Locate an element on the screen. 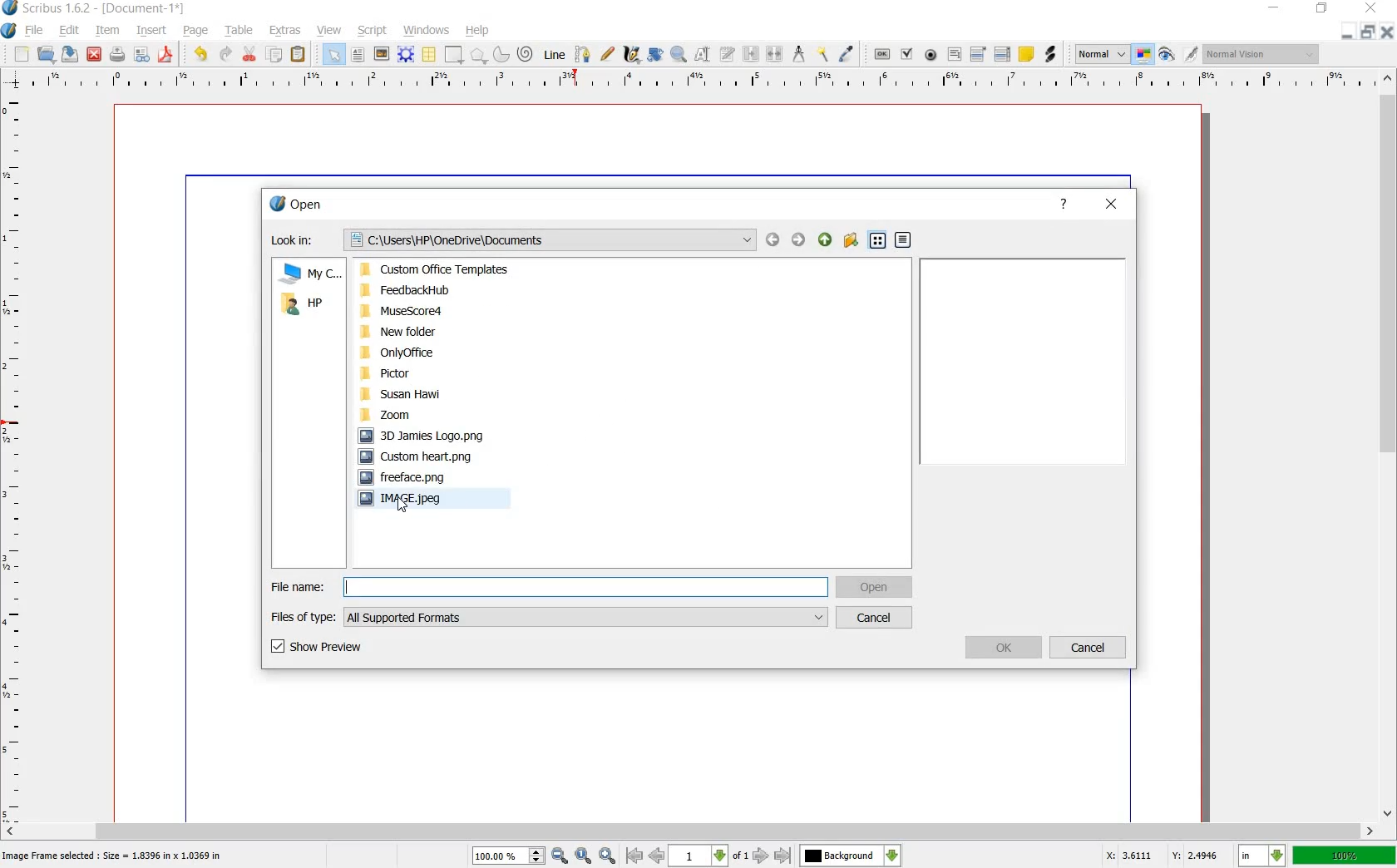  PARENT DIRECTORY is located at coordinates (825, 240).